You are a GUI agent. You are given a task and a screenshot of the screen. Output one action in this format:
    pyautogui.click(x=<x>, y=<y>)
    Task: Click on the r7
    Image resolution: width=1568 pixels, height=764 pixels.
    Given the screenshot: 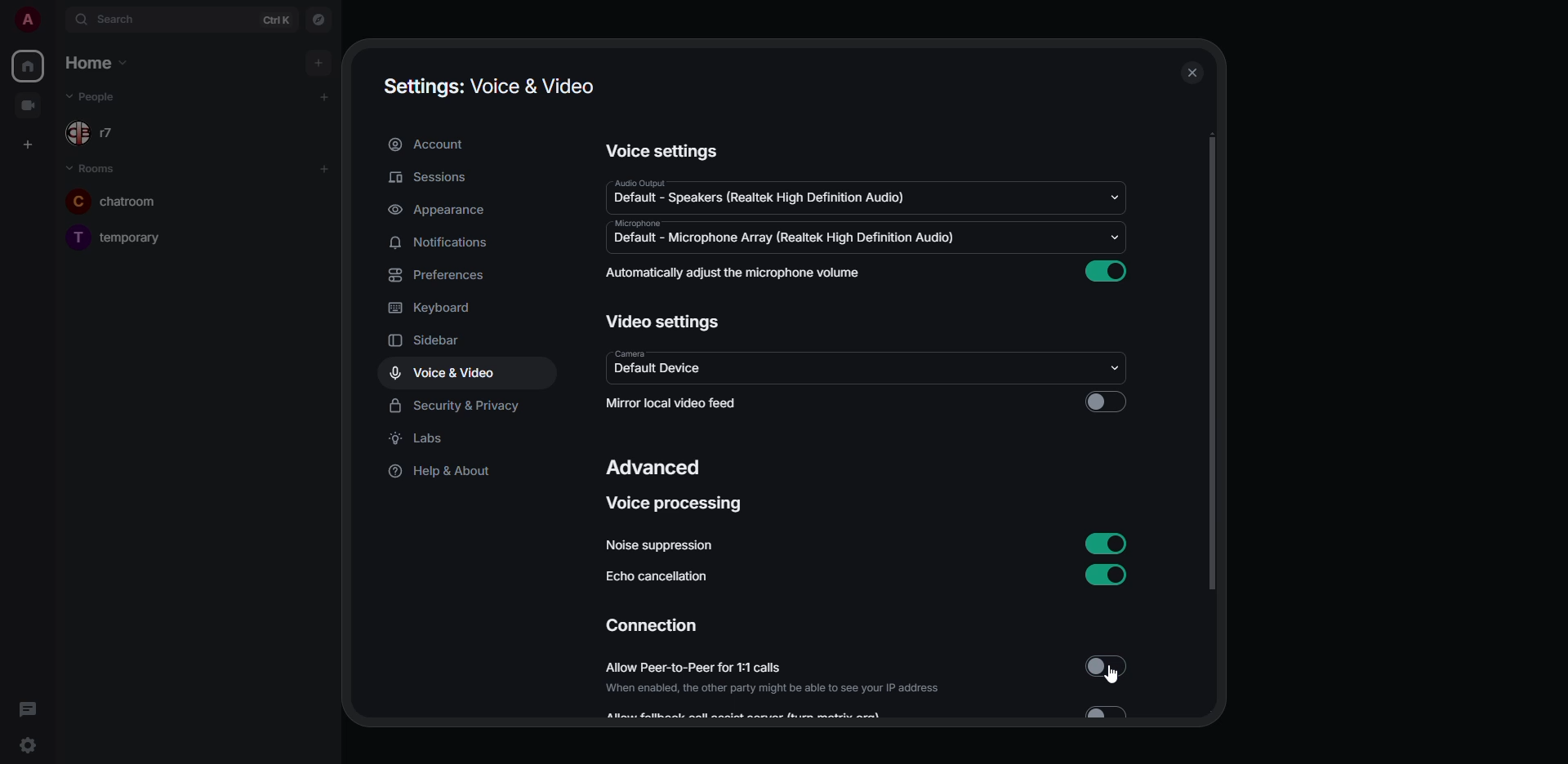 What is the action you would take?
    pyautogui.click(x=101, y=134)
    